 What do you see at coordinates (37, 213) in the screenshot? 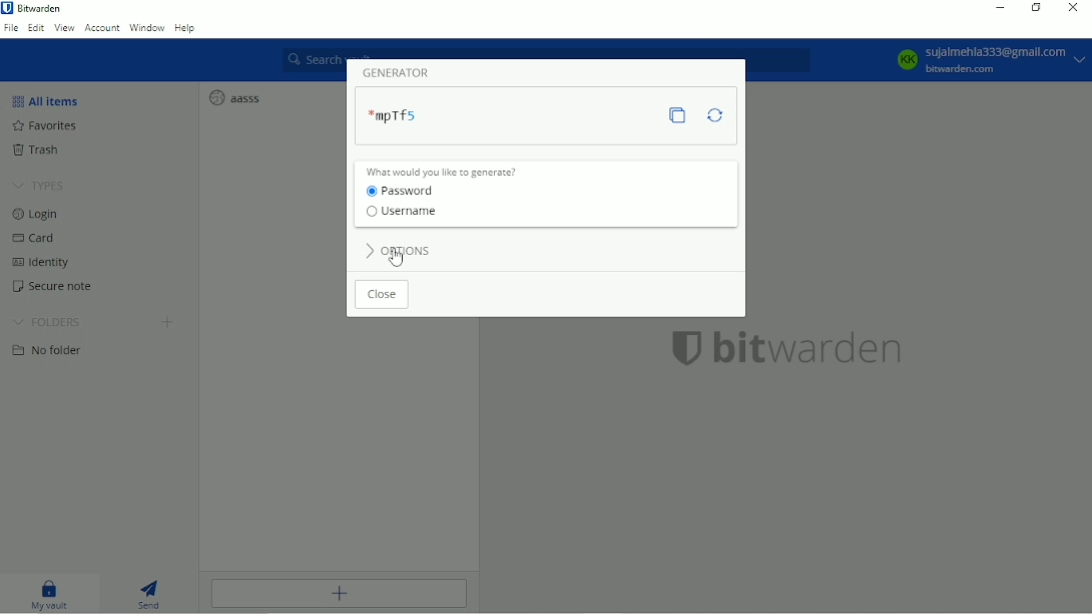
I see `Login` at bounding box center [37, 213].